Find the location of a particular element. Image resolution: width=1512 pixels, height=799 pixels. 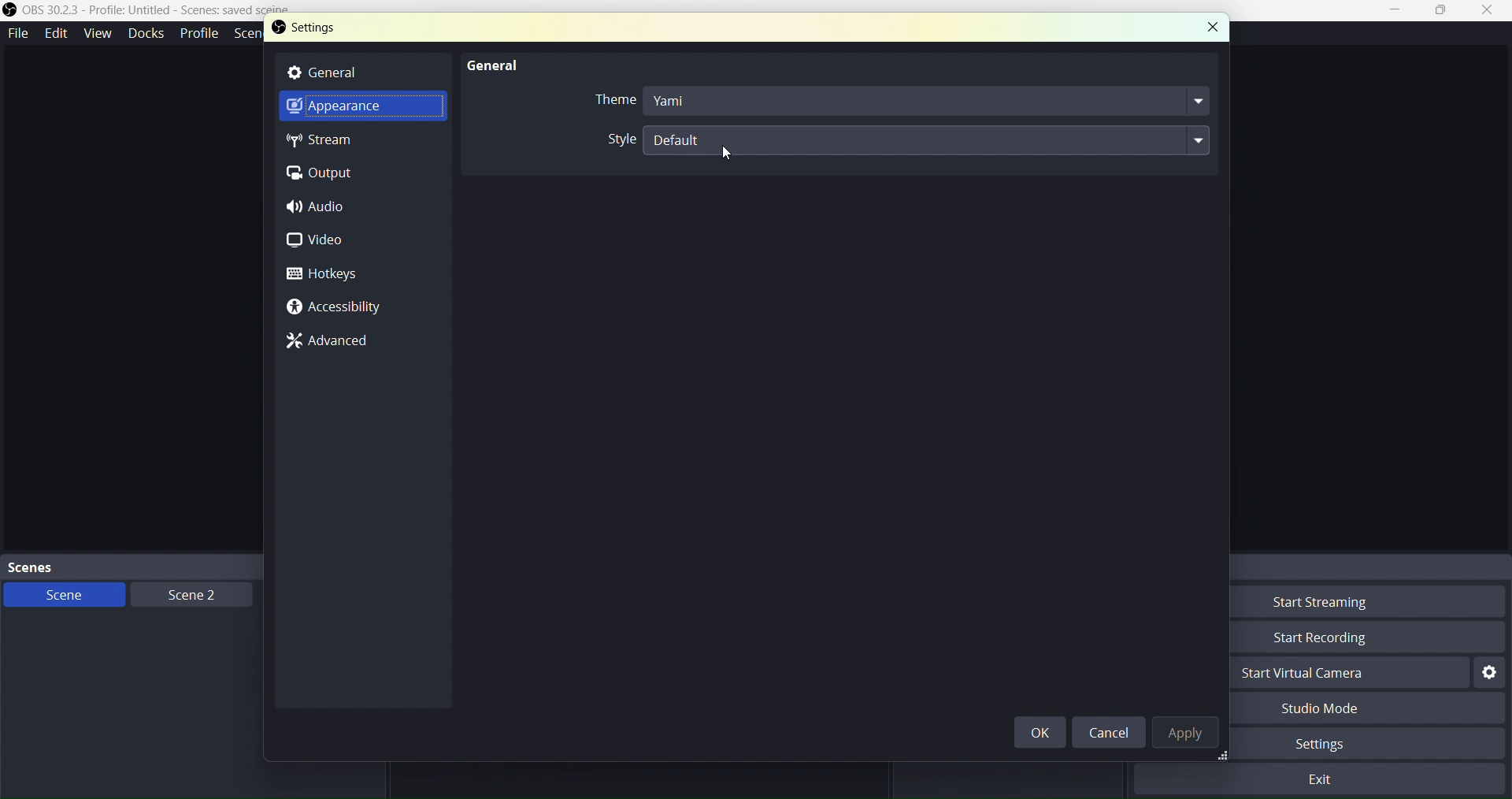

Start Recording is located at coordinates (1351, 637).